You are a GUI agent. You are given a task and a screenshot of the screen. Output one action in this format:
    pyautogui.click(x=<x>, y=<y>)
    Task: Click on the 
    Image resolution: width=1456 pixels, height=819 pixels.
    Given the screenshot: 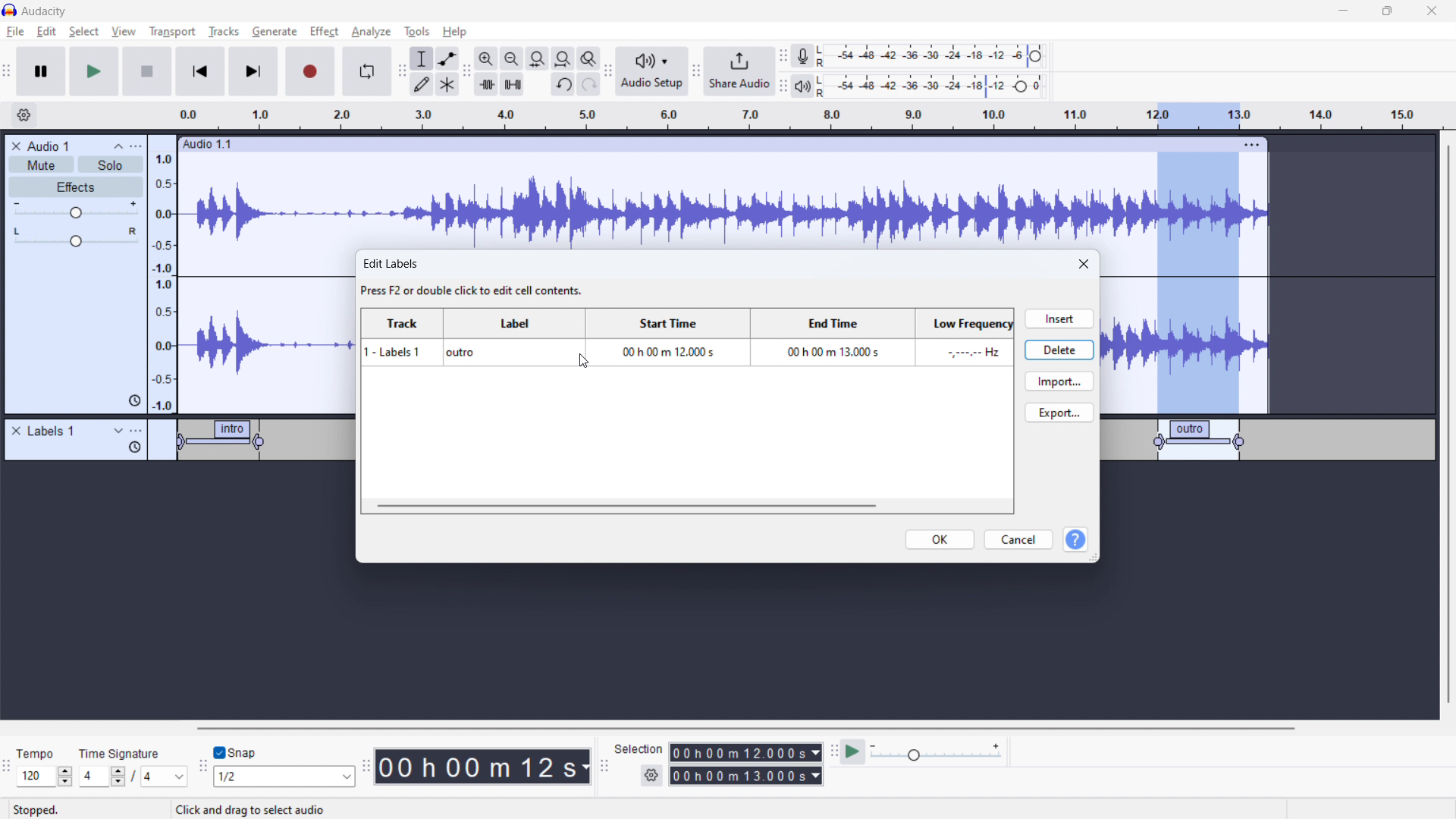 What is the action you would take?
    pyautogui.click(x=823, y=86)
    